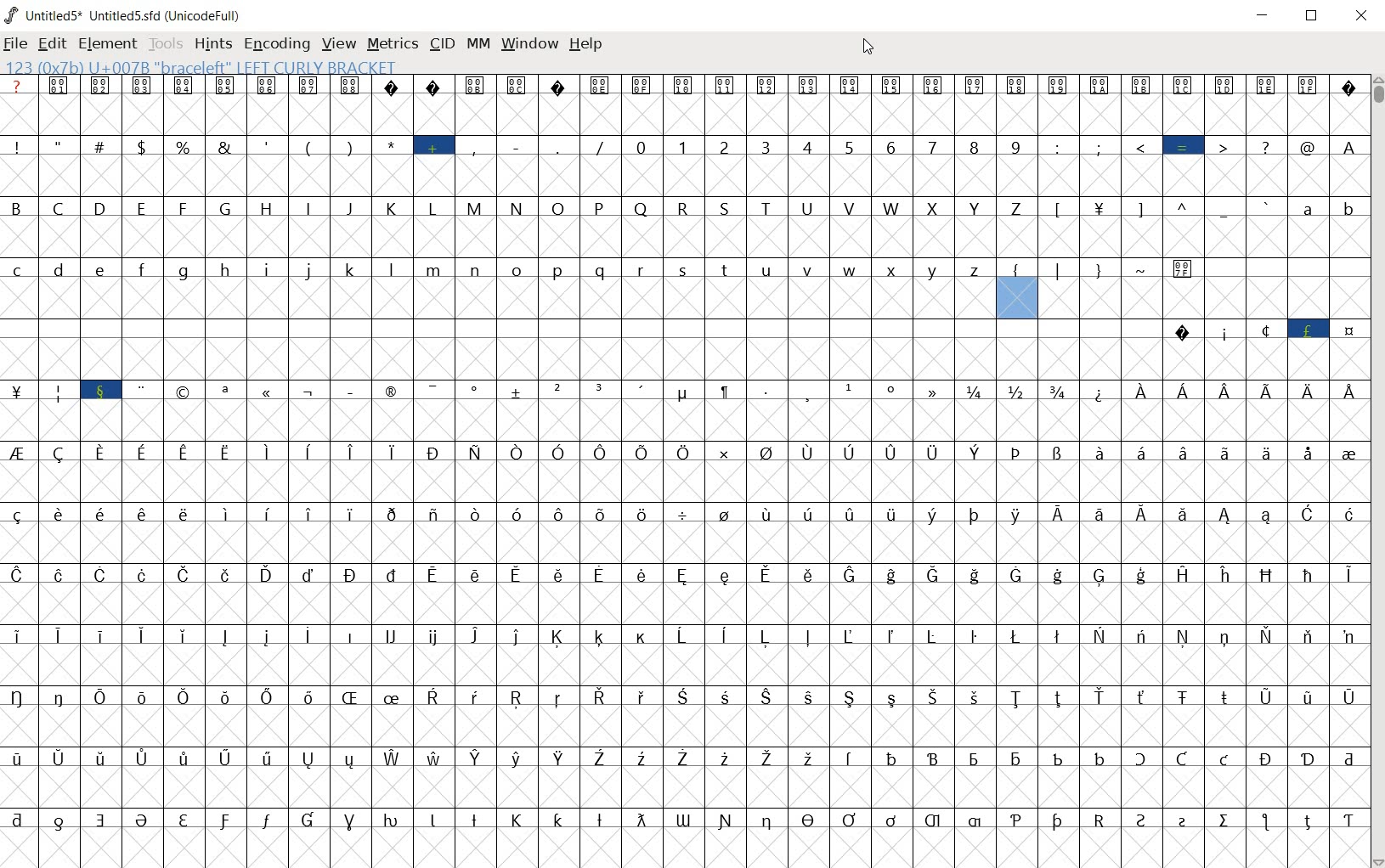 This screenshot has height=868, width=1385. What do you see at coordinates (478, 45) in the screenshot?
I see `mm` at bounding box center [478, 45].